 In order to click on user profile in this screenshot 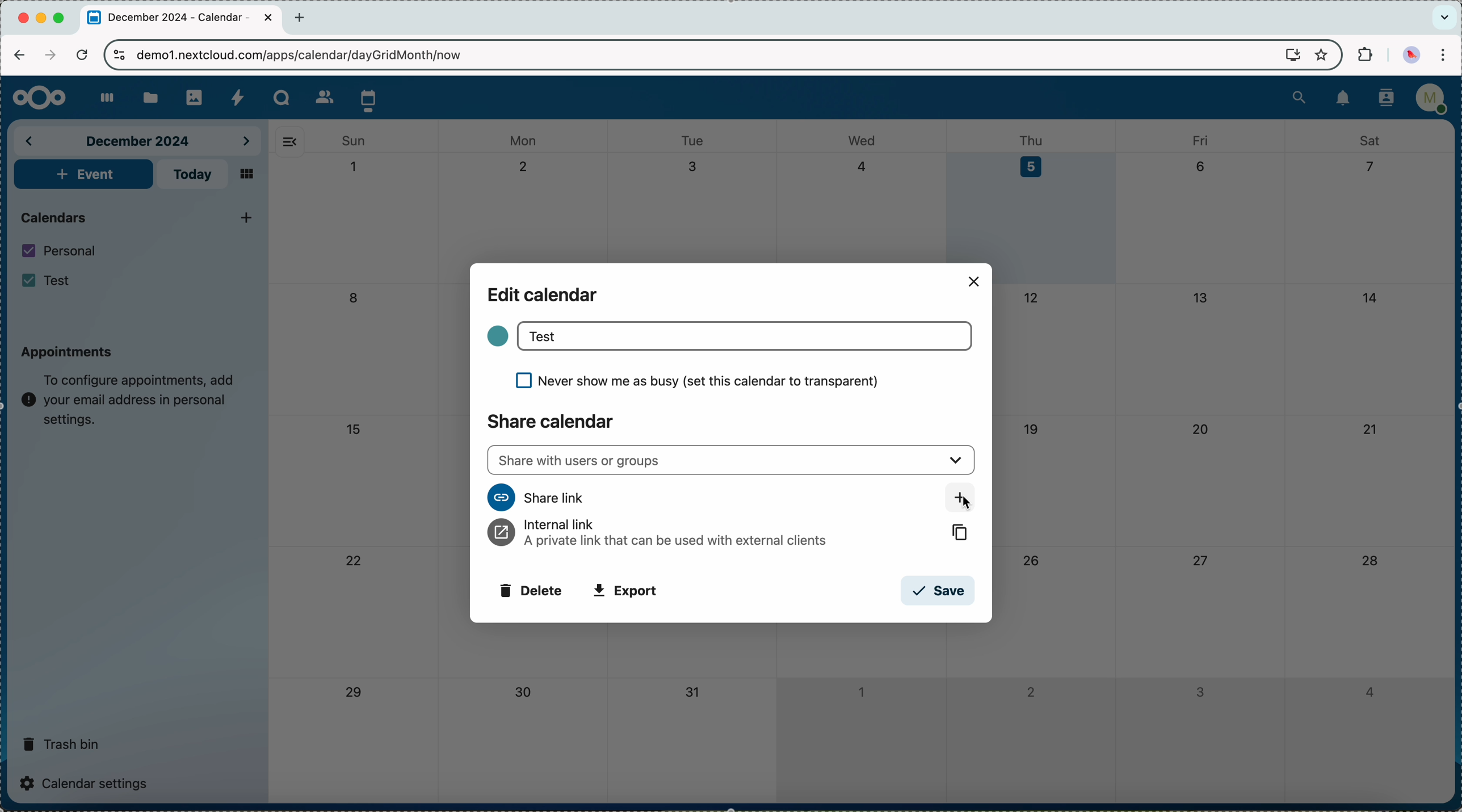, I will do `click(1431, 102)`.